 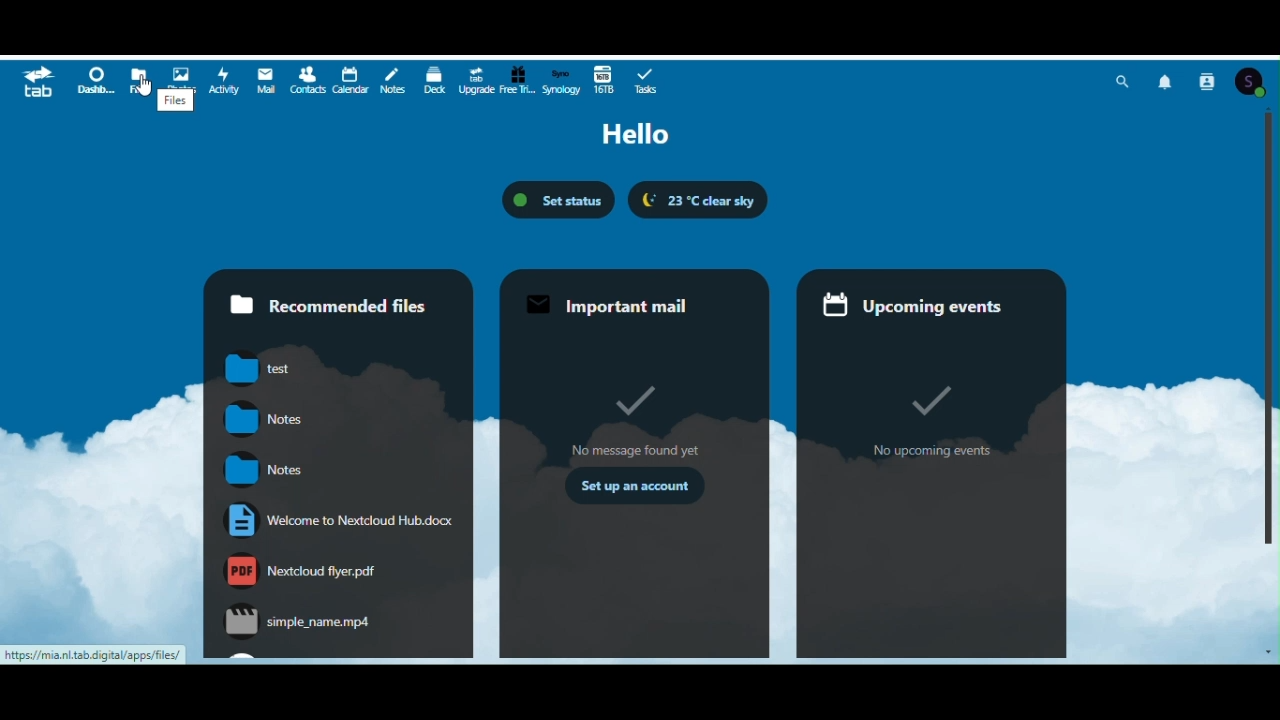 What do you see at coordinates (698, 200) in the screenshot?
I see `23' C clear sky` at bounding box center [698, 200].